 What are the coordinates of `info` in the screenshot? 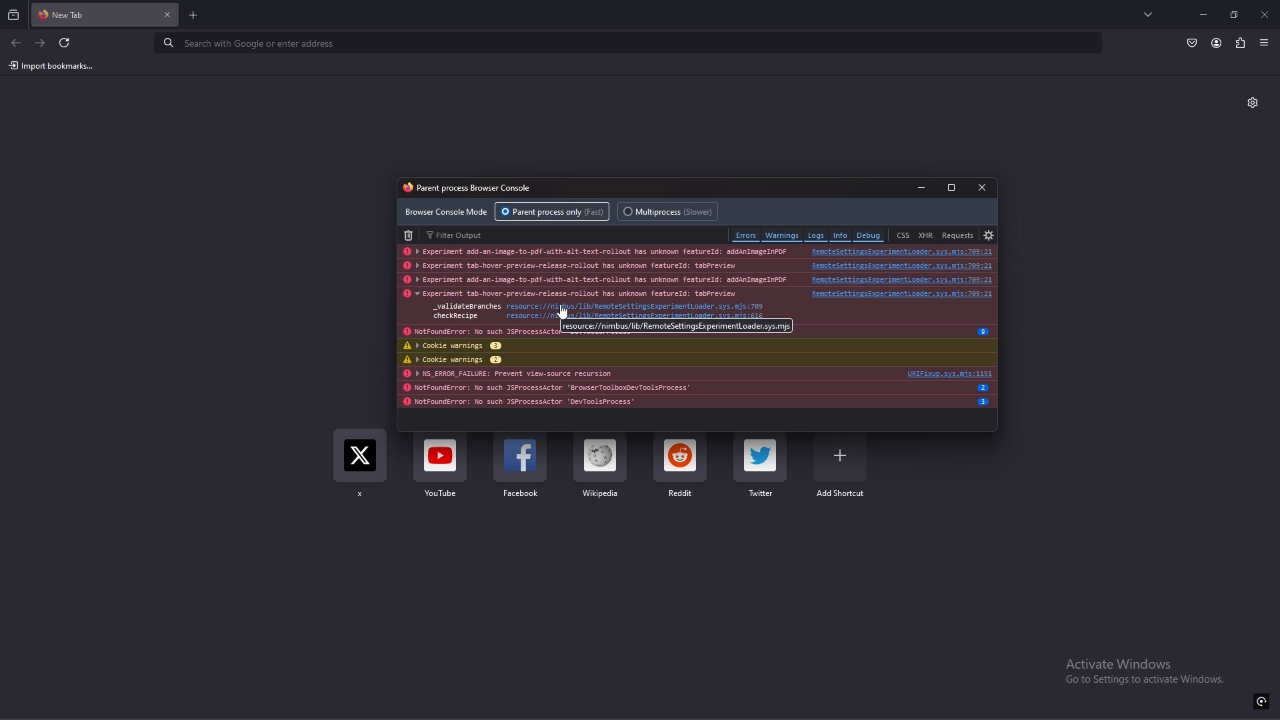 It's located at (982, 331).